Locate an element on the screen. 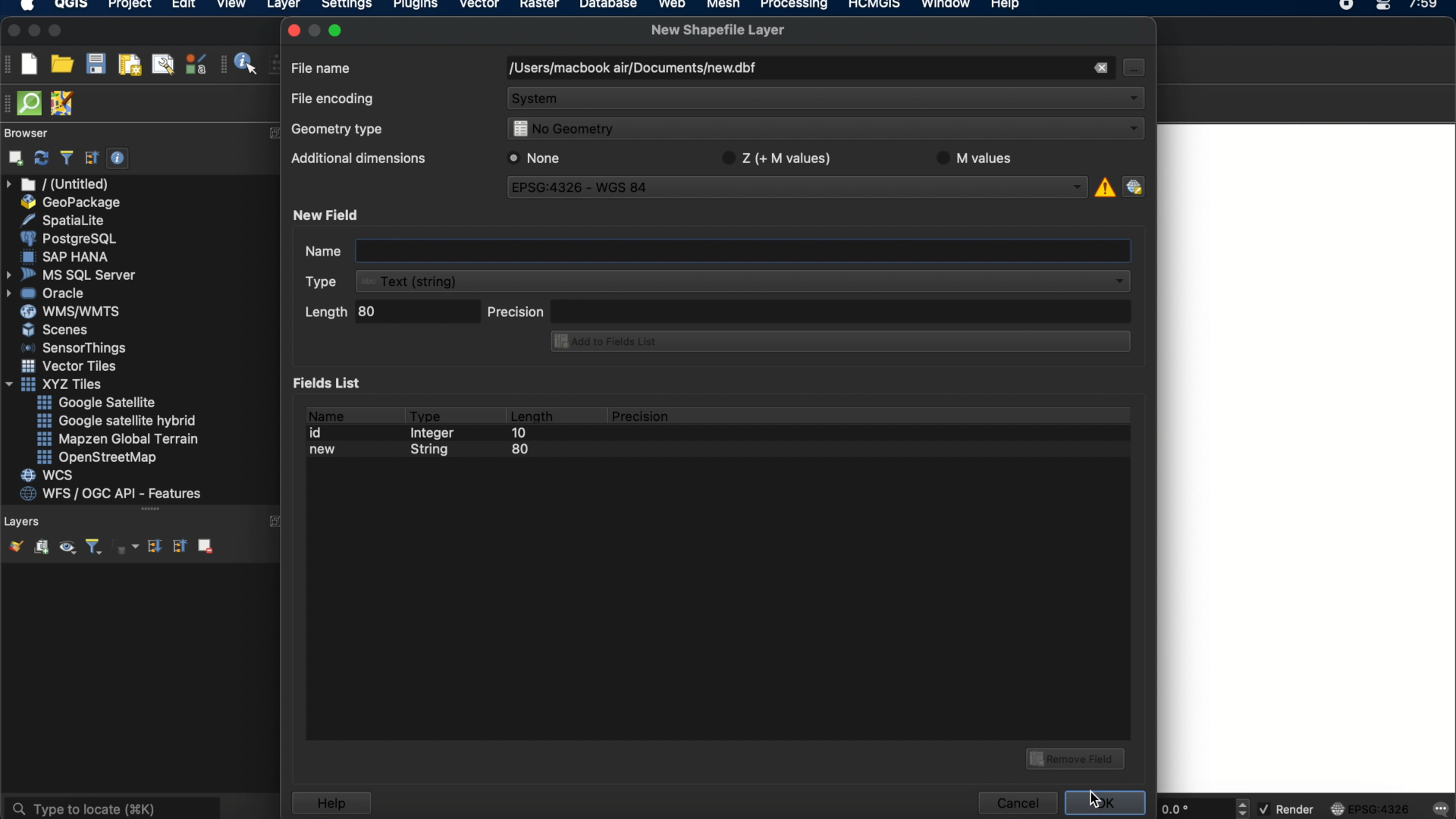 The image size is (1456, 819). Name is located at coordinates (308, 253).